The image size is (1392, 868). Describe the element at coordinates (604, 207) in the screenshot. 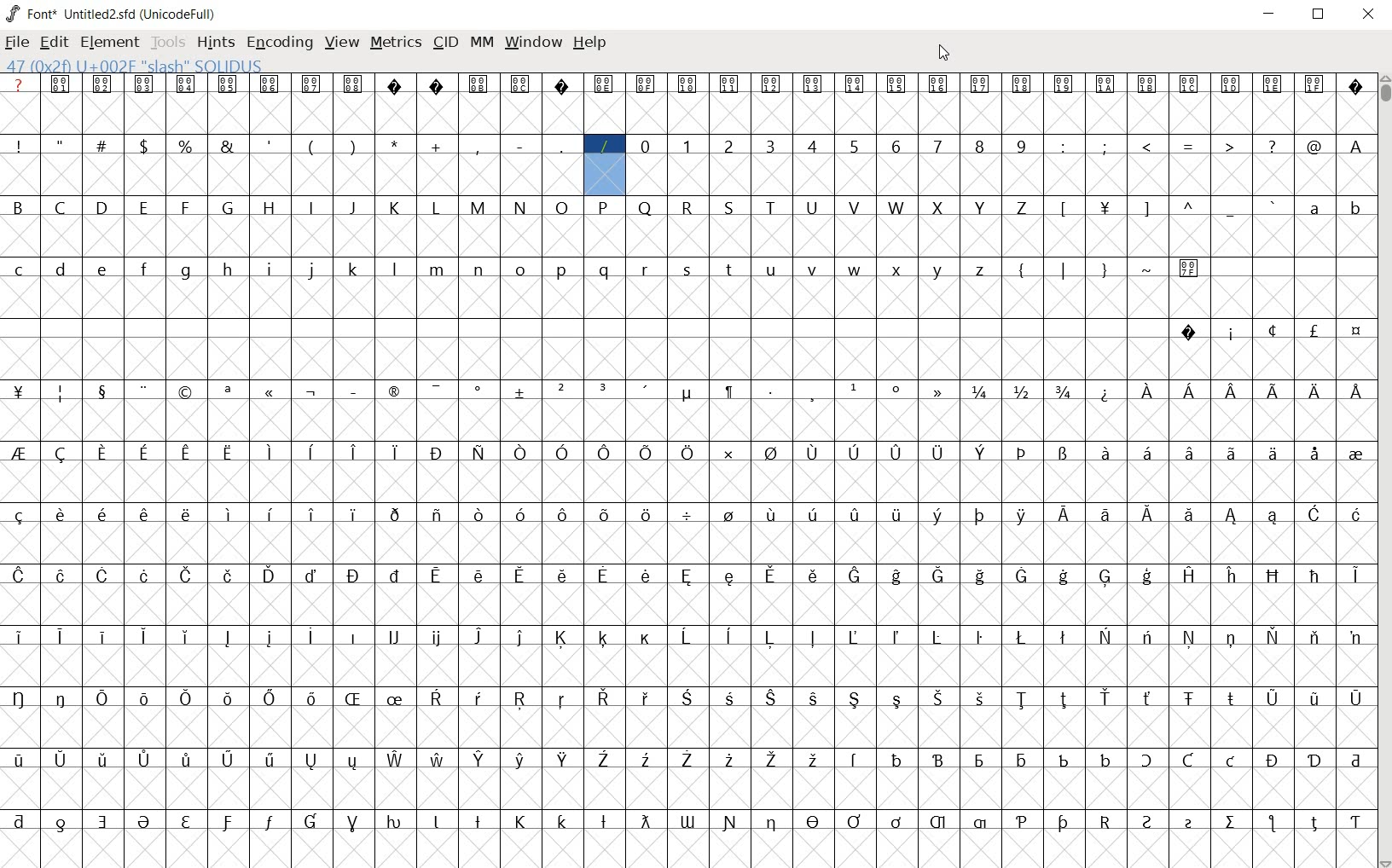

I see `glyph` at that location.